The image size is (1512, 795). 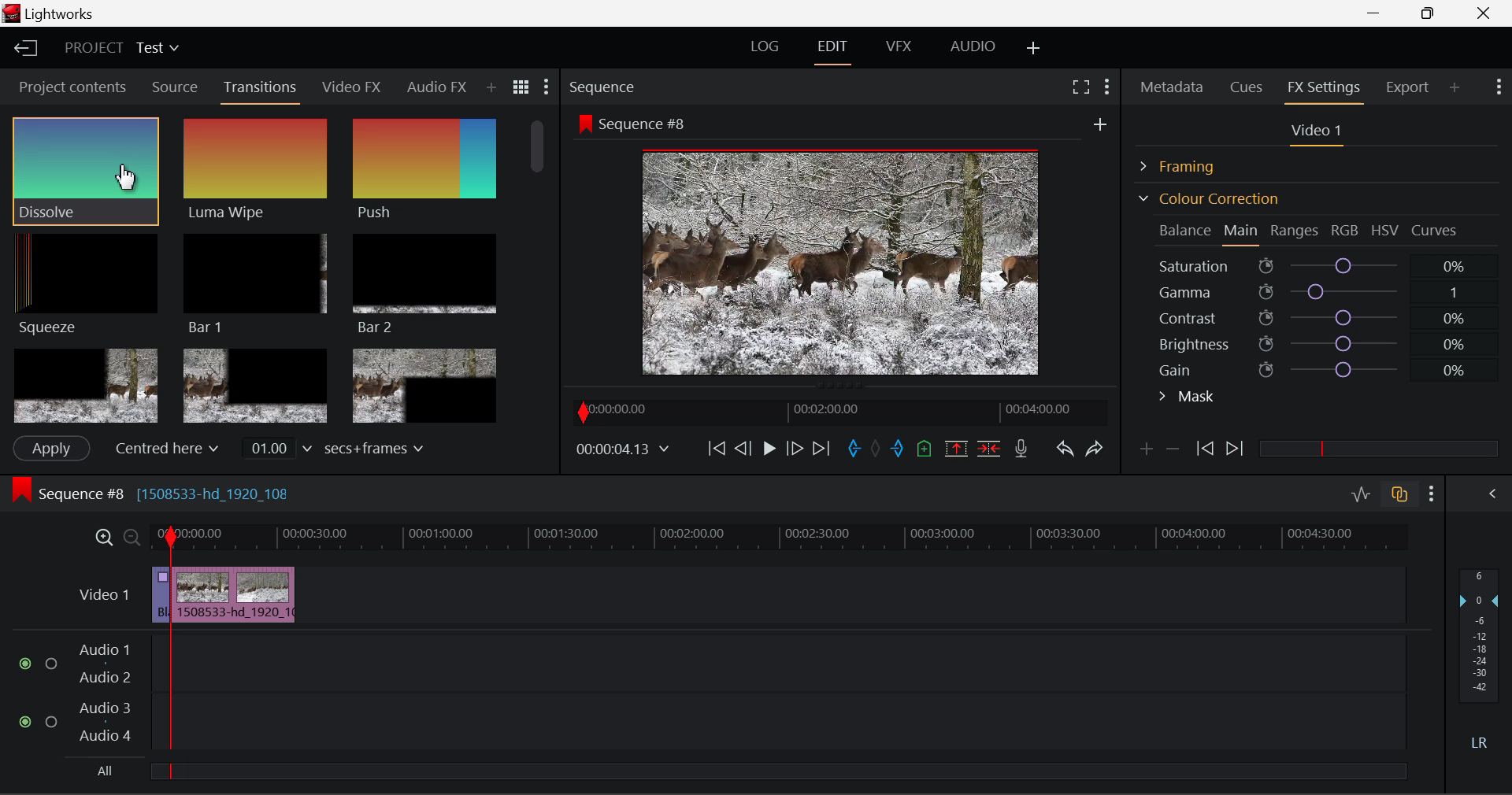 I want to click on Box 1, so click(x=86, y=386).